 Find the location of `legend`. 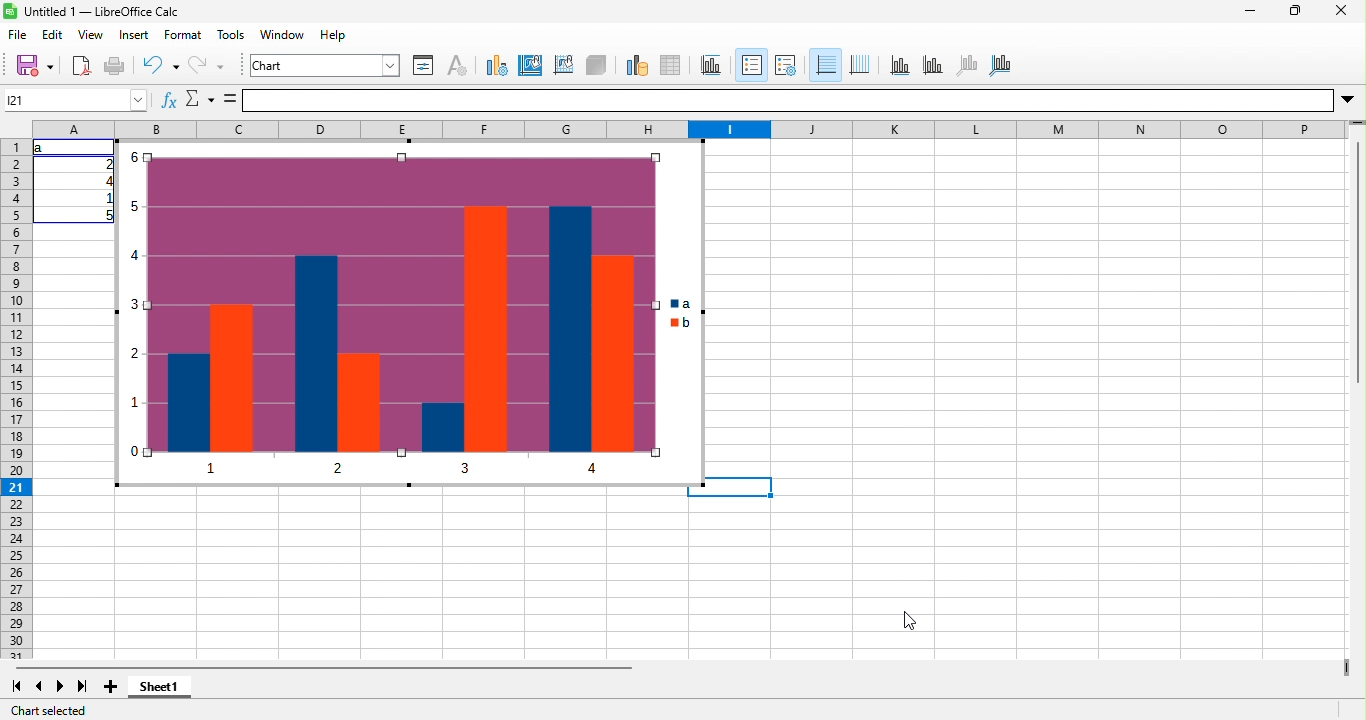

legend is located at coordinates (786, 66).